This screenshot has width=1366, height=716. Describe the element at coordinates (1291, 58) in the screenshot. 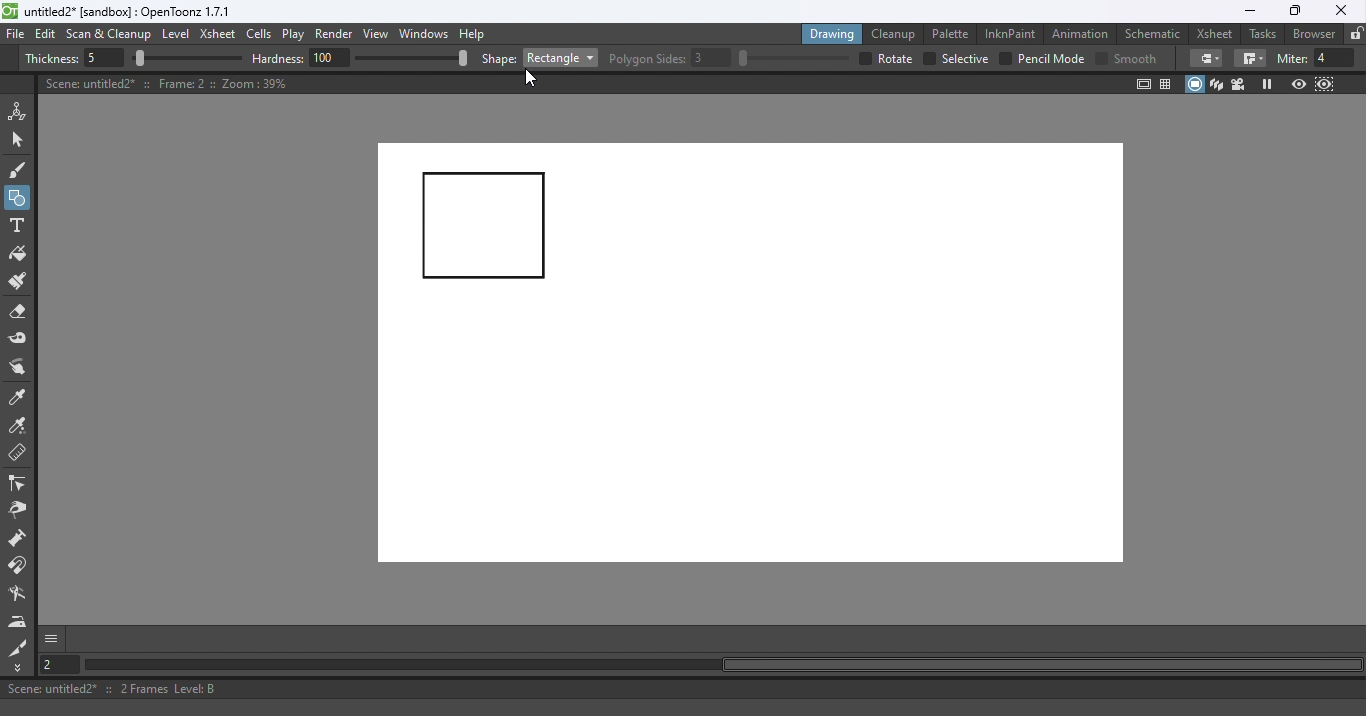

I see `miter` at that location.